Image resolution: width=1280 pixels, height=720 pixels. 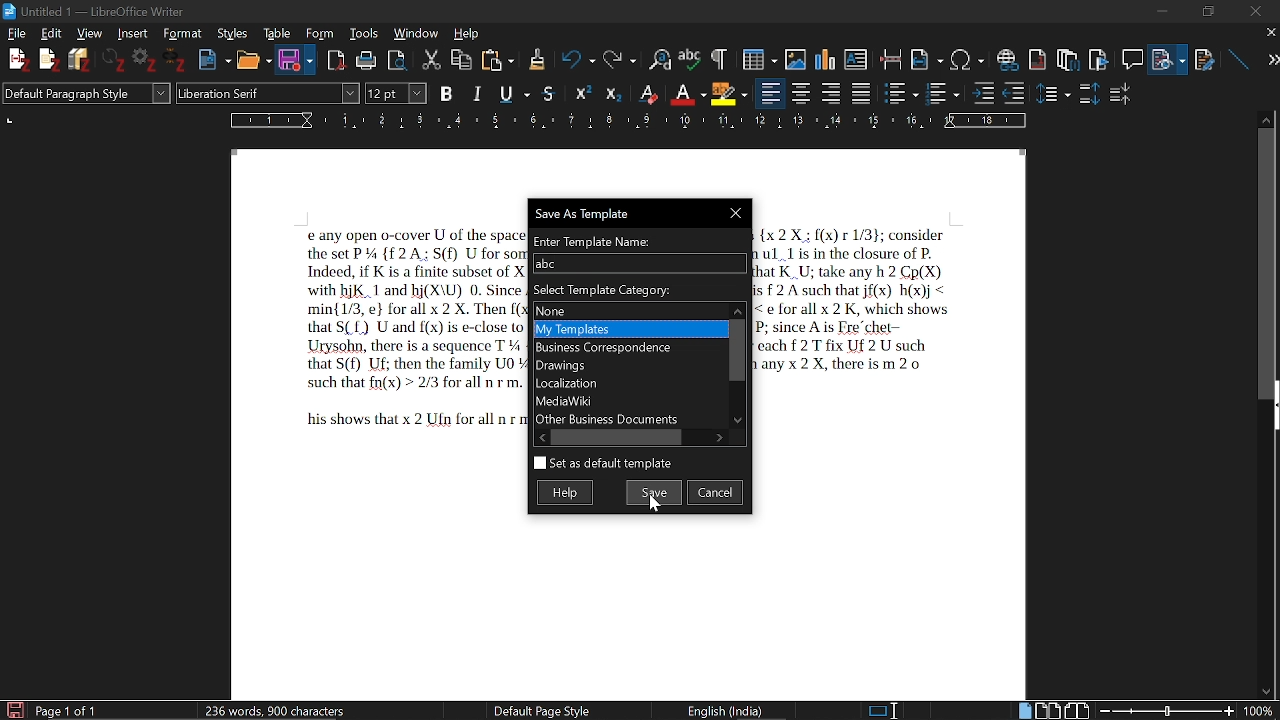 I want to click on Move right, so click(x=721, y=436).